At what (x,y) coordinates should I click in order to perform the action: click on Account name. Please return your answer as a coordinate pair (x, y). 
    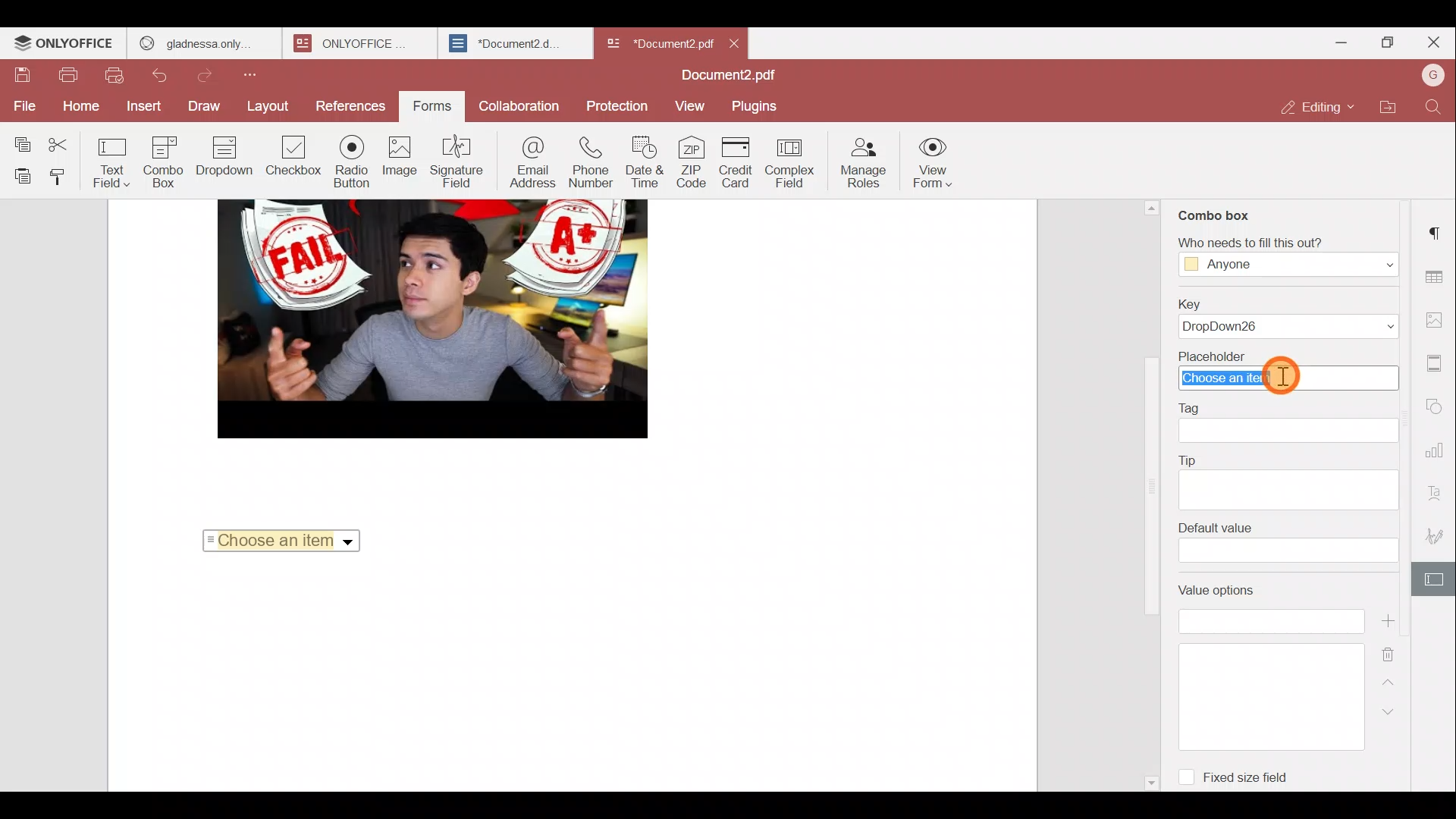
    Looking at the image, I should click on (1429, 80).